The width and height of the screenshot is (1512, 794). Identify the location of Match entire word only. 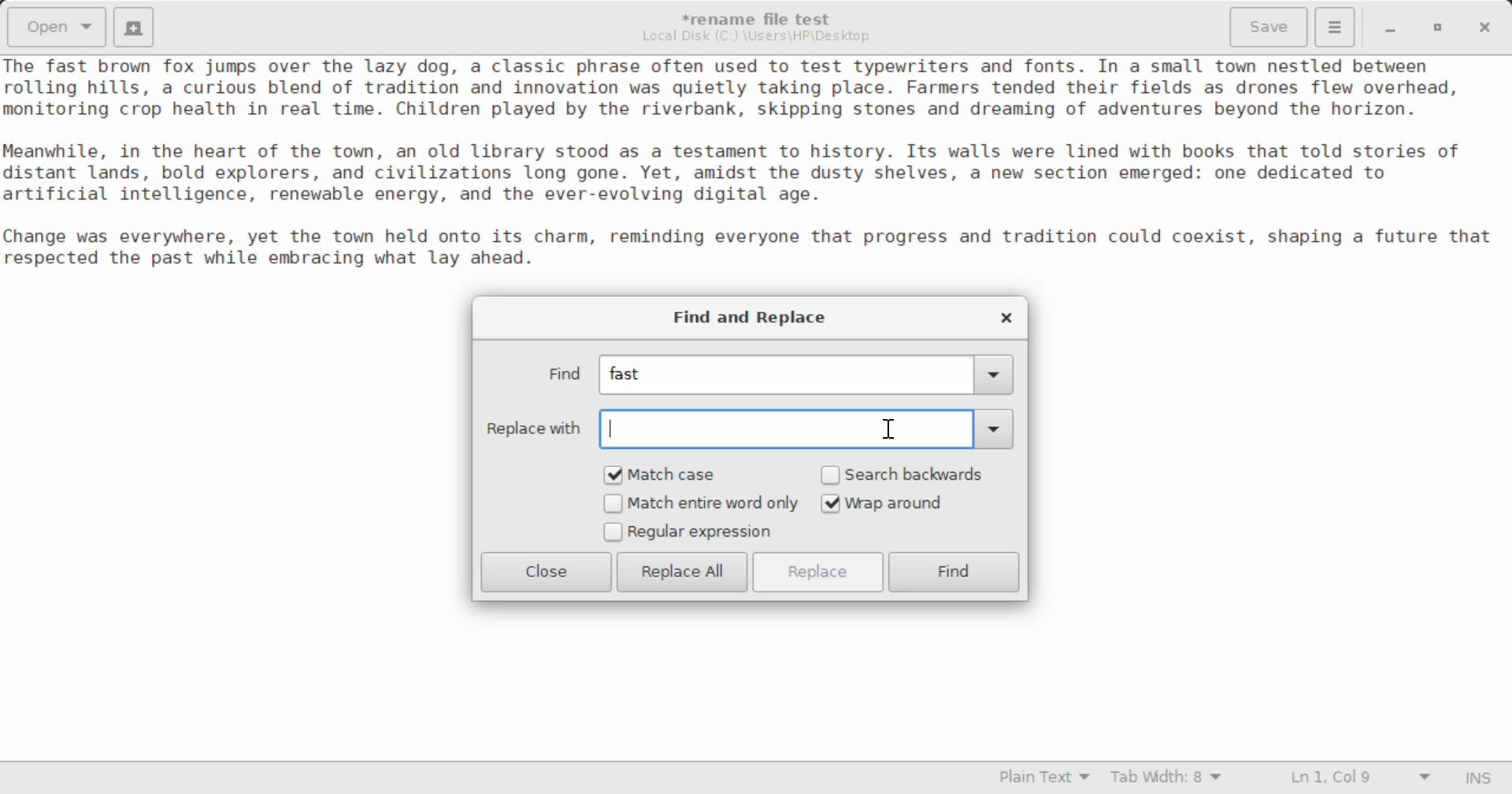
(700, 505).